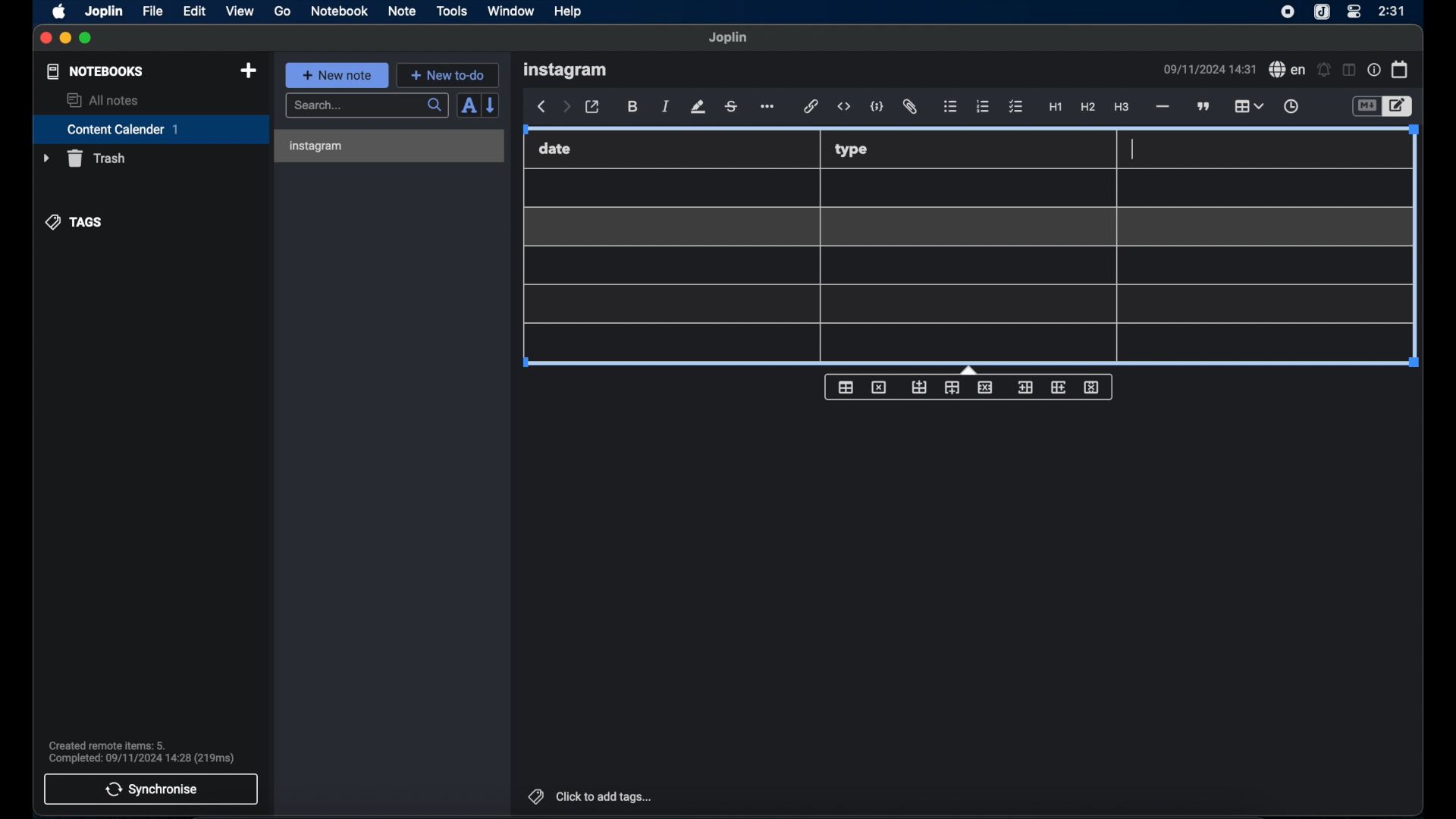 Image resolution: width=1456 pixels, height=819 pixels. Describe the element at coordinates (1017, 108) in the screenshot. I see `checklist` at that location.